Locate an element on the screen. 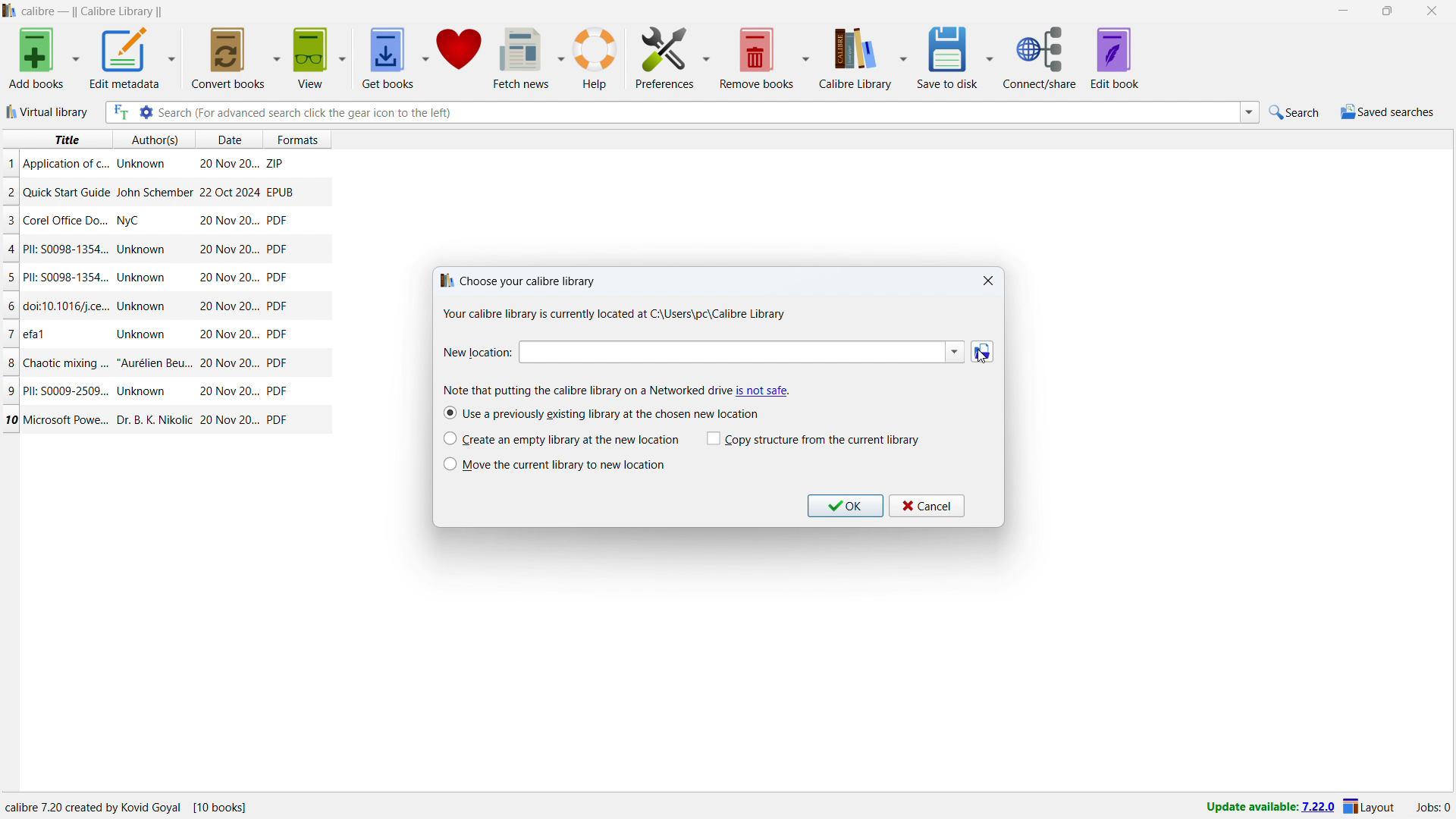 The width and height of the screenshot is (1456, 819). Date is located at coordinates (227, 307).